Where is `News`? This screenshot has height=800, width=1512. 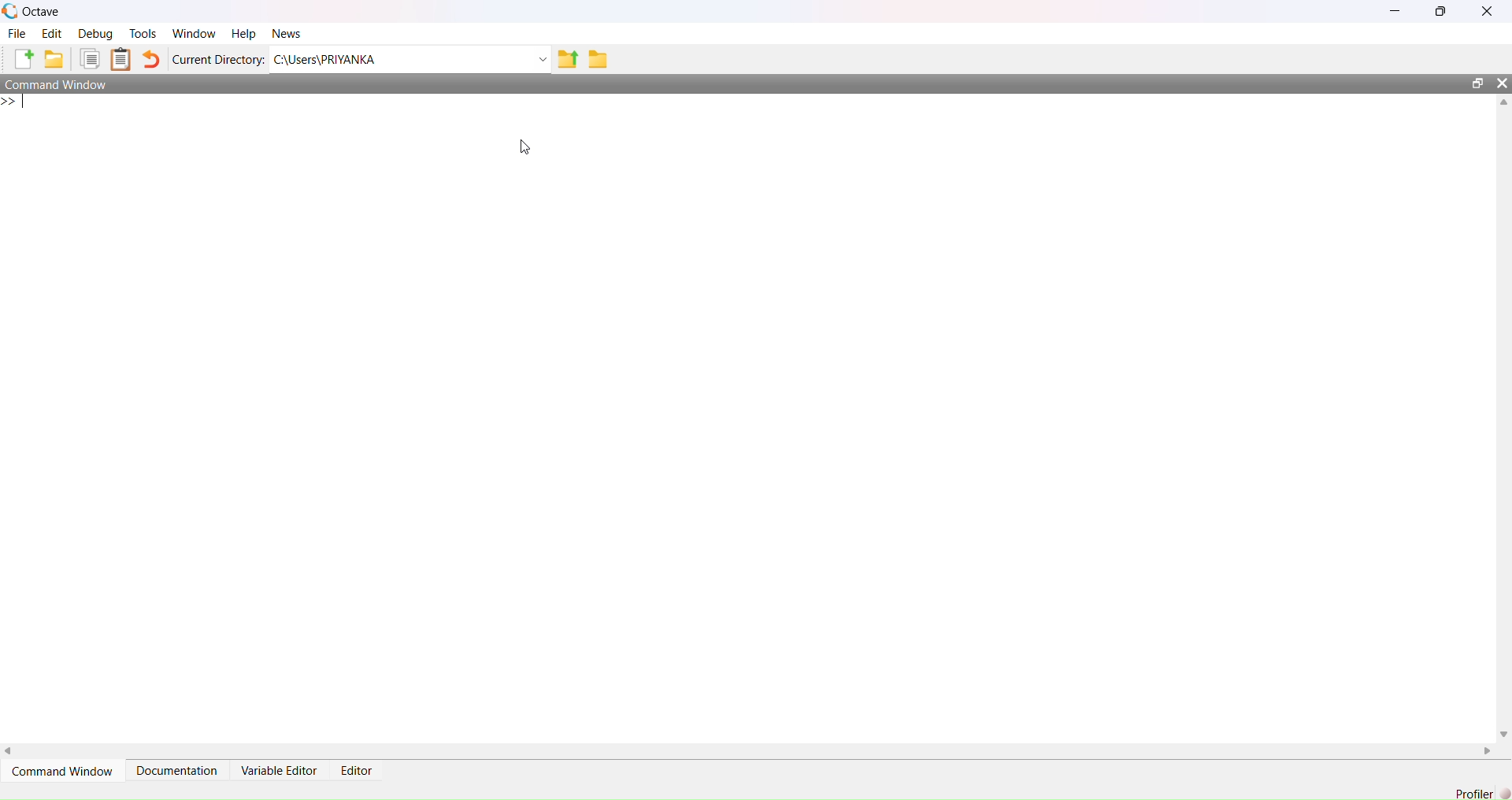
News is located at coordinates (287, 35).